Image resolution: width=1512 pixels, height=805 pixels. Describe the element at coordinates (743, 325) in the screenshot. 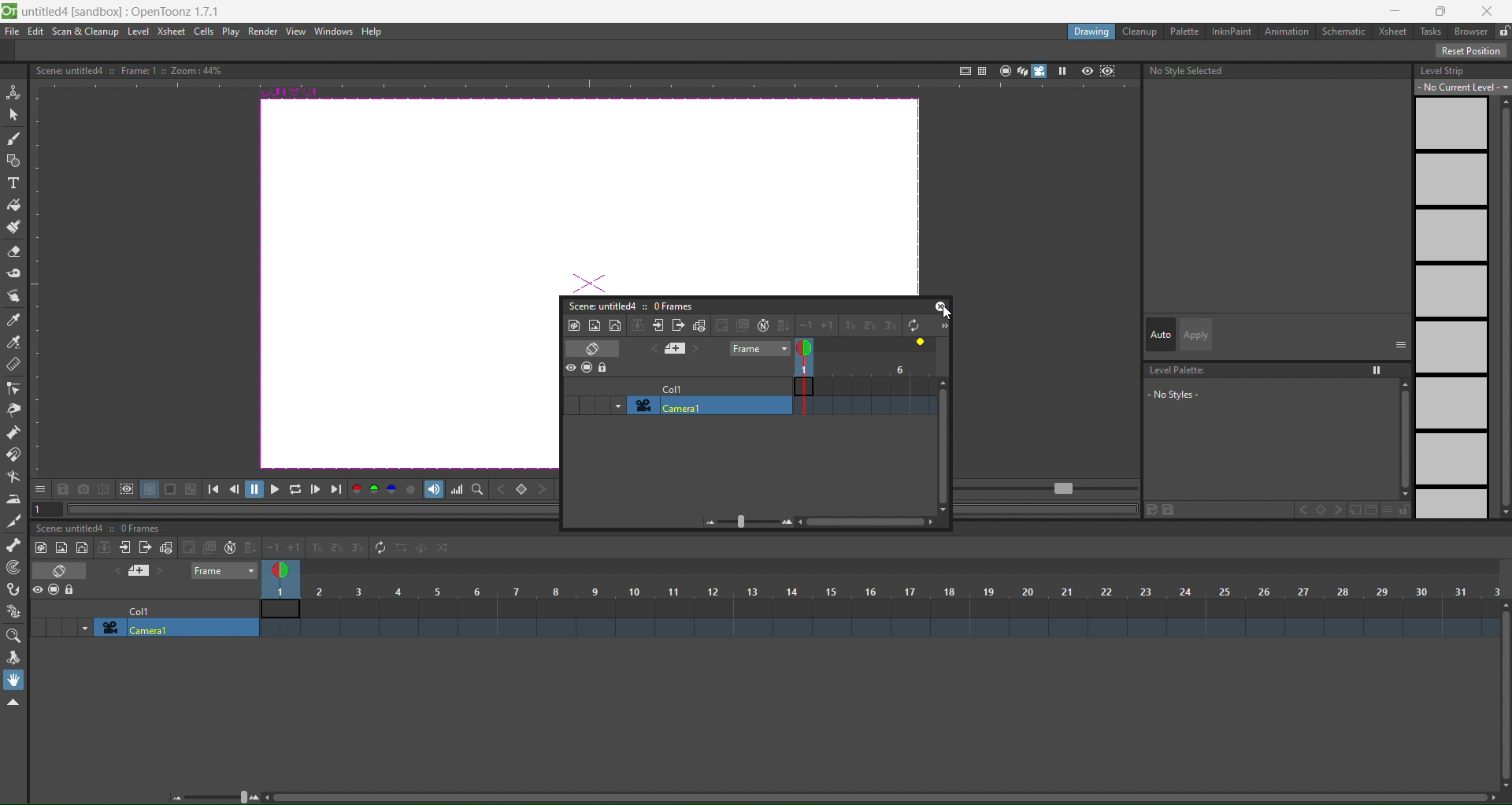

I see `` at that location.